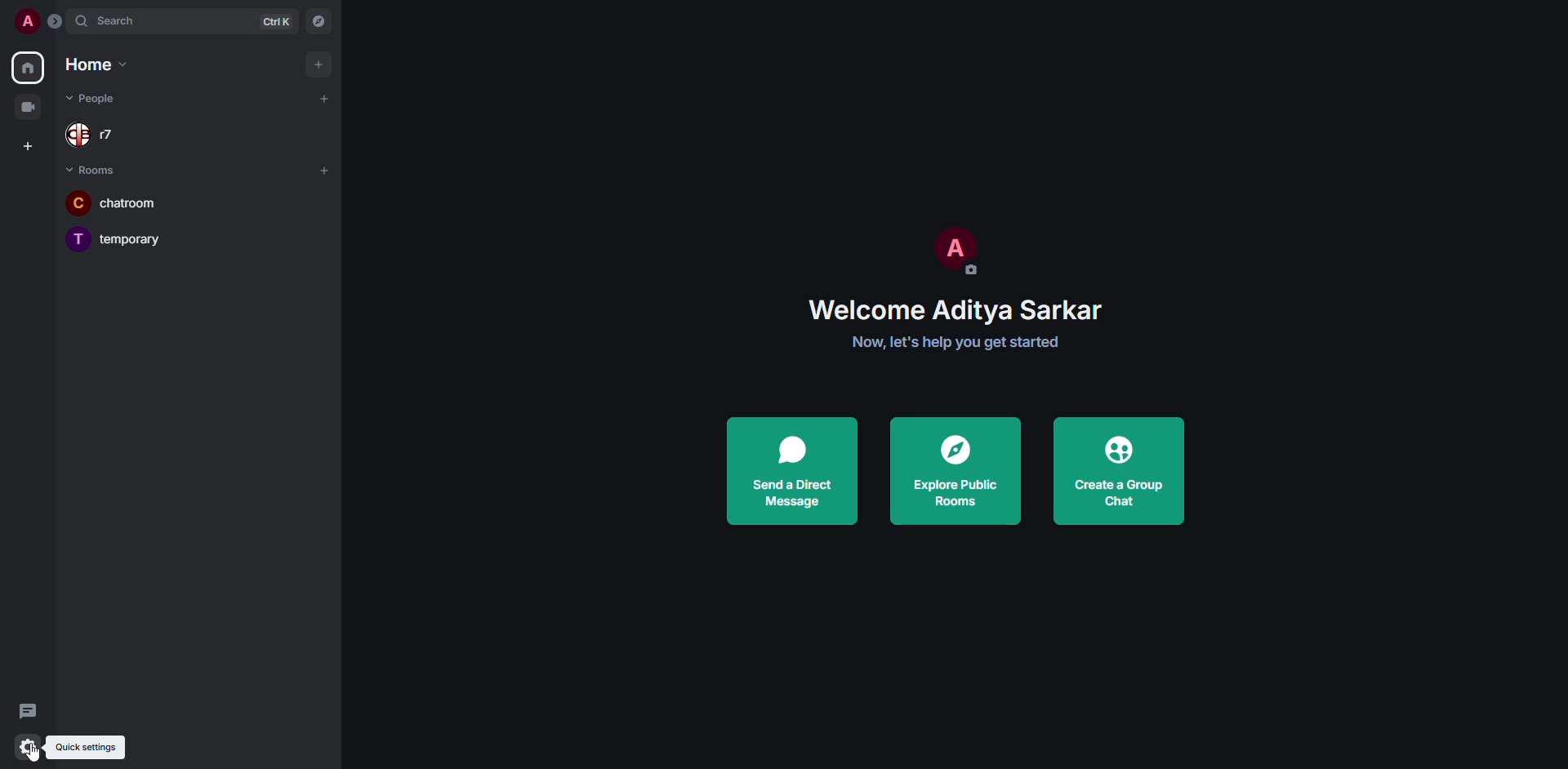  I want to click on cursor, so click(37, 753).